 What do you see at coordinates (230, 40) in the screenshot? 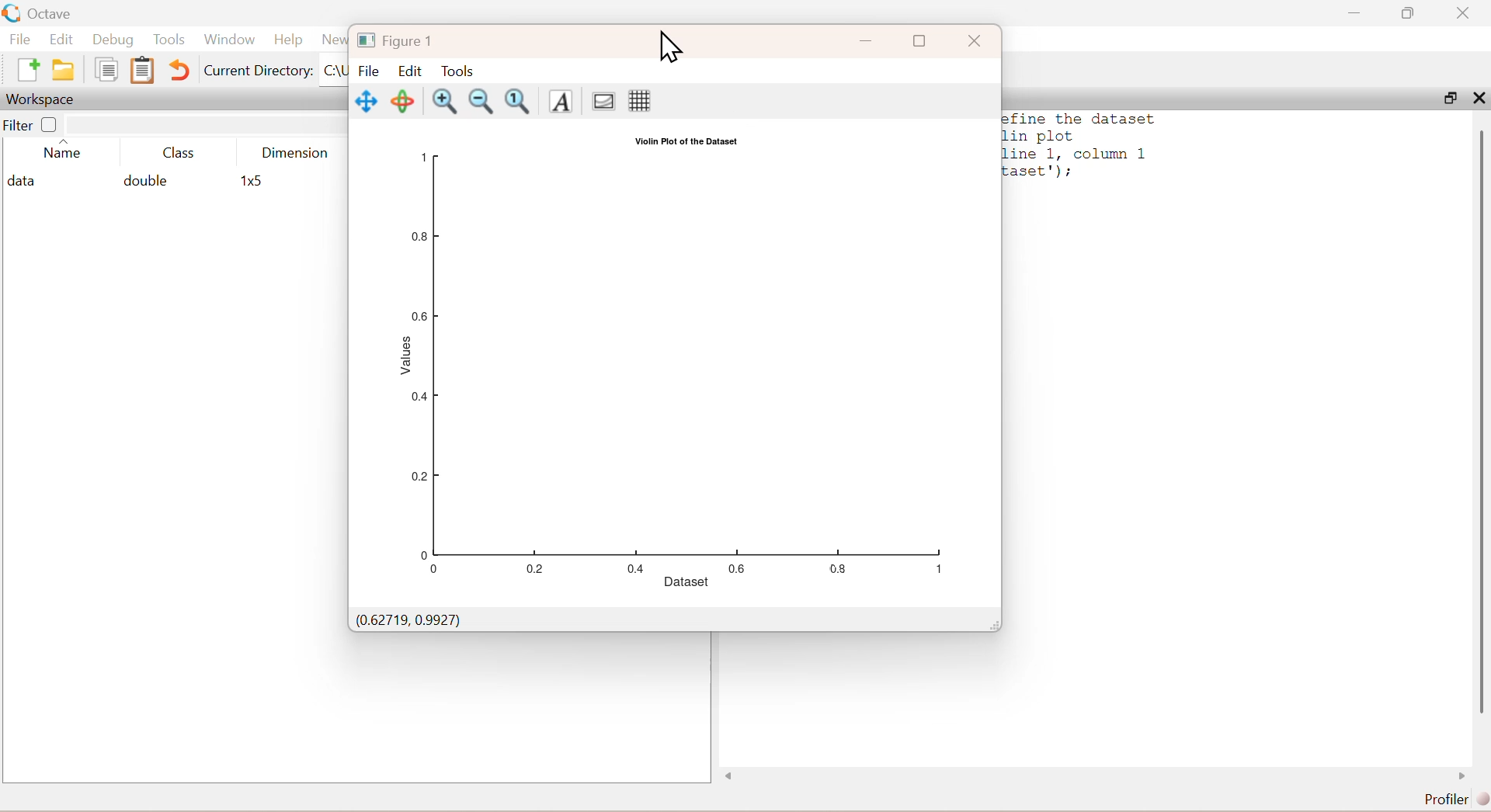
I see `window` at bounding box center [230, 40].